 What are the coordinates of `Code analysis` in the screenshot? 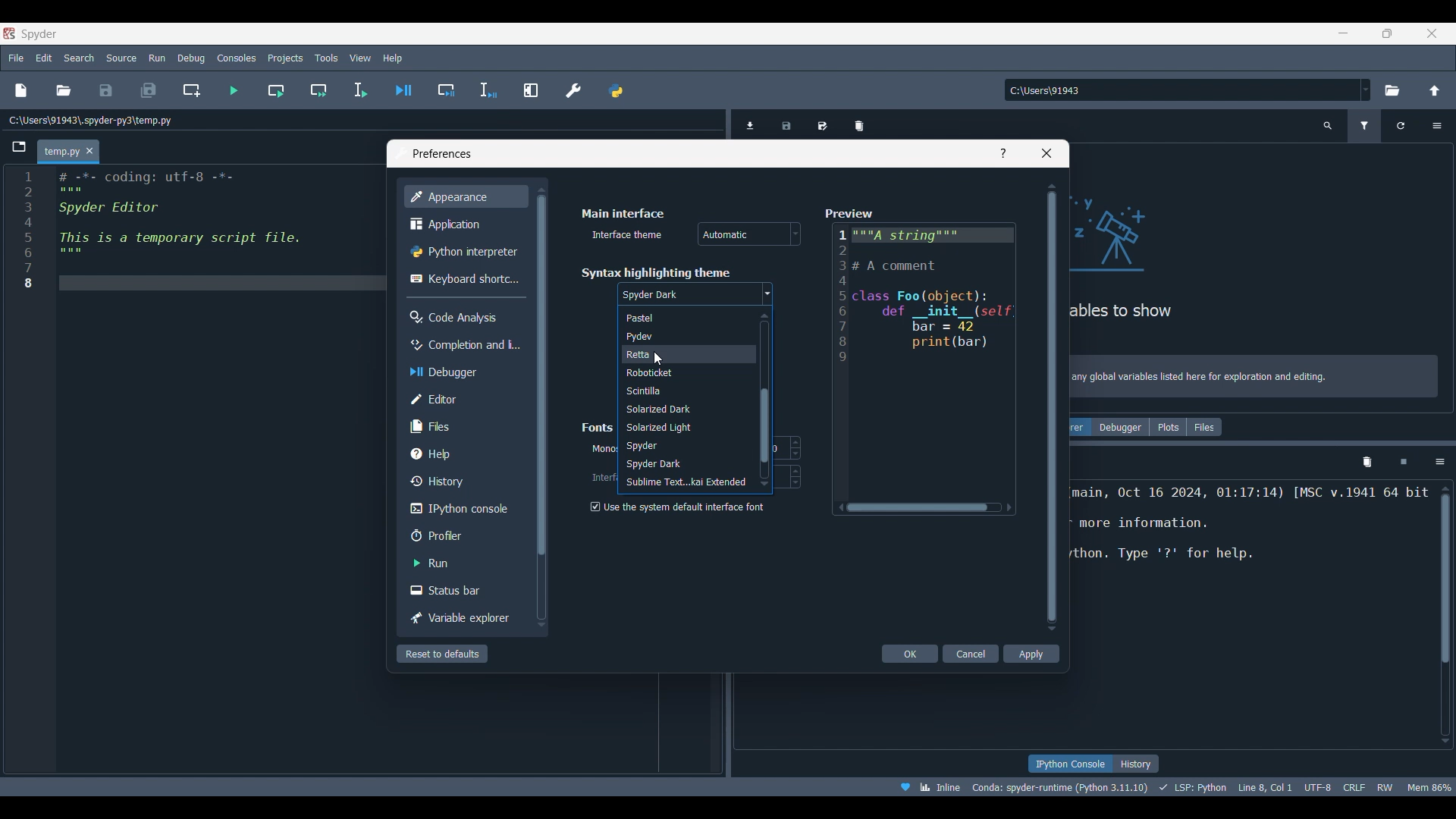 It's located at (465, 317).